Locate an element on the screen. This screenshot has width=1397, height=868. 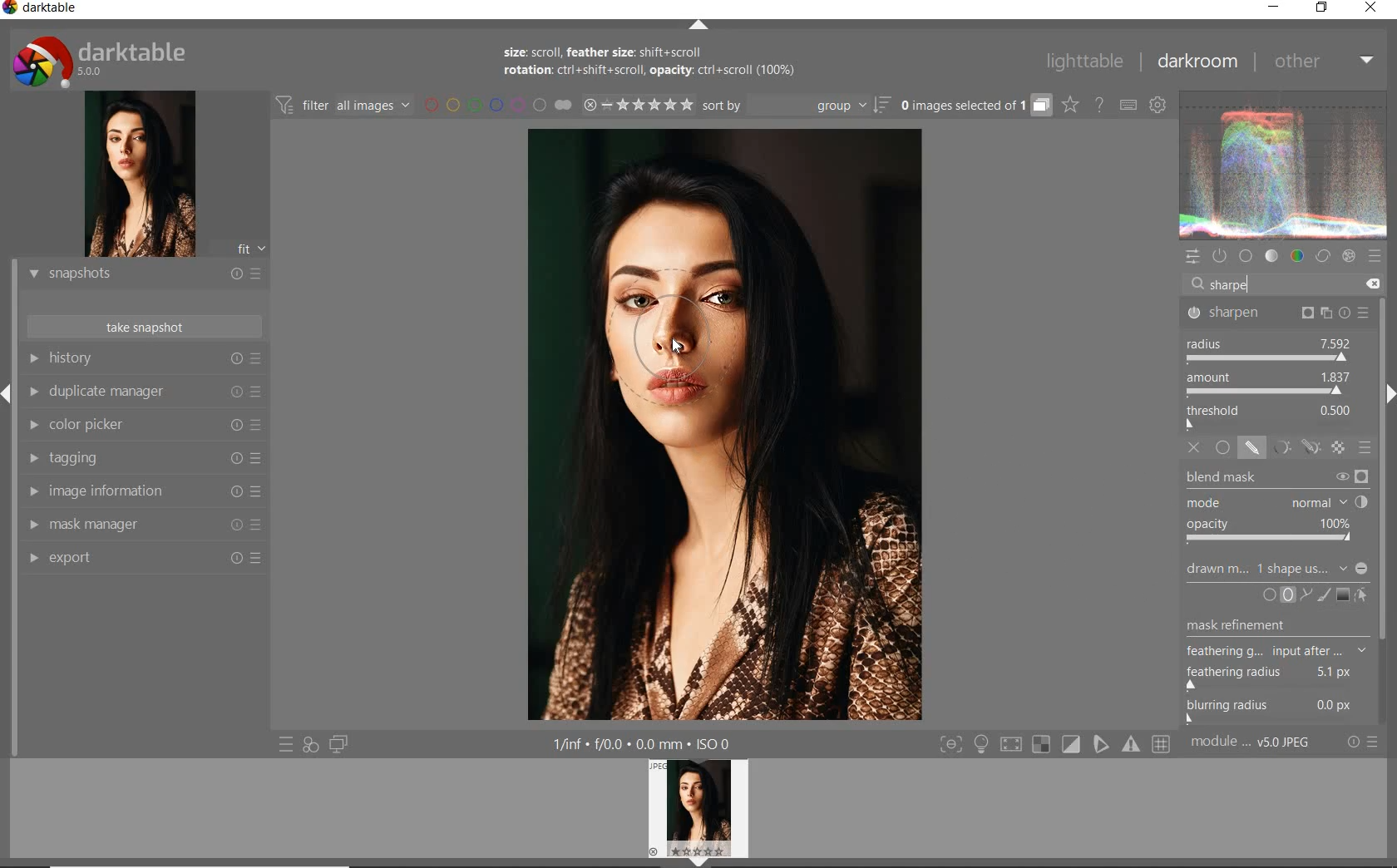
sign  is located at coordinates (1042, 746).